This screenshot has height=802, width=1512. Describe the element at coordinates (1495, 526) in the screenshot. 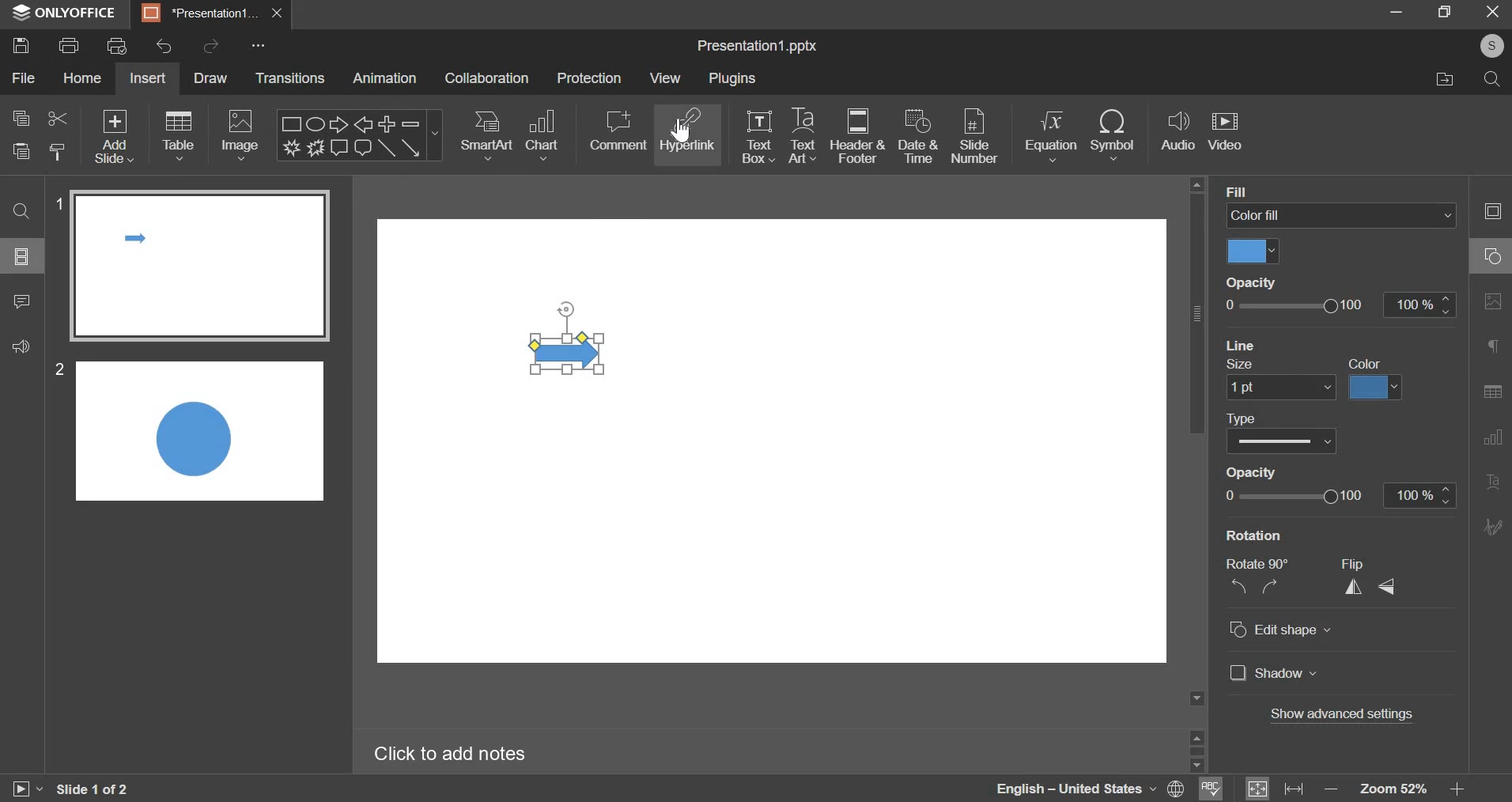

I see `Signature settings` at that location.